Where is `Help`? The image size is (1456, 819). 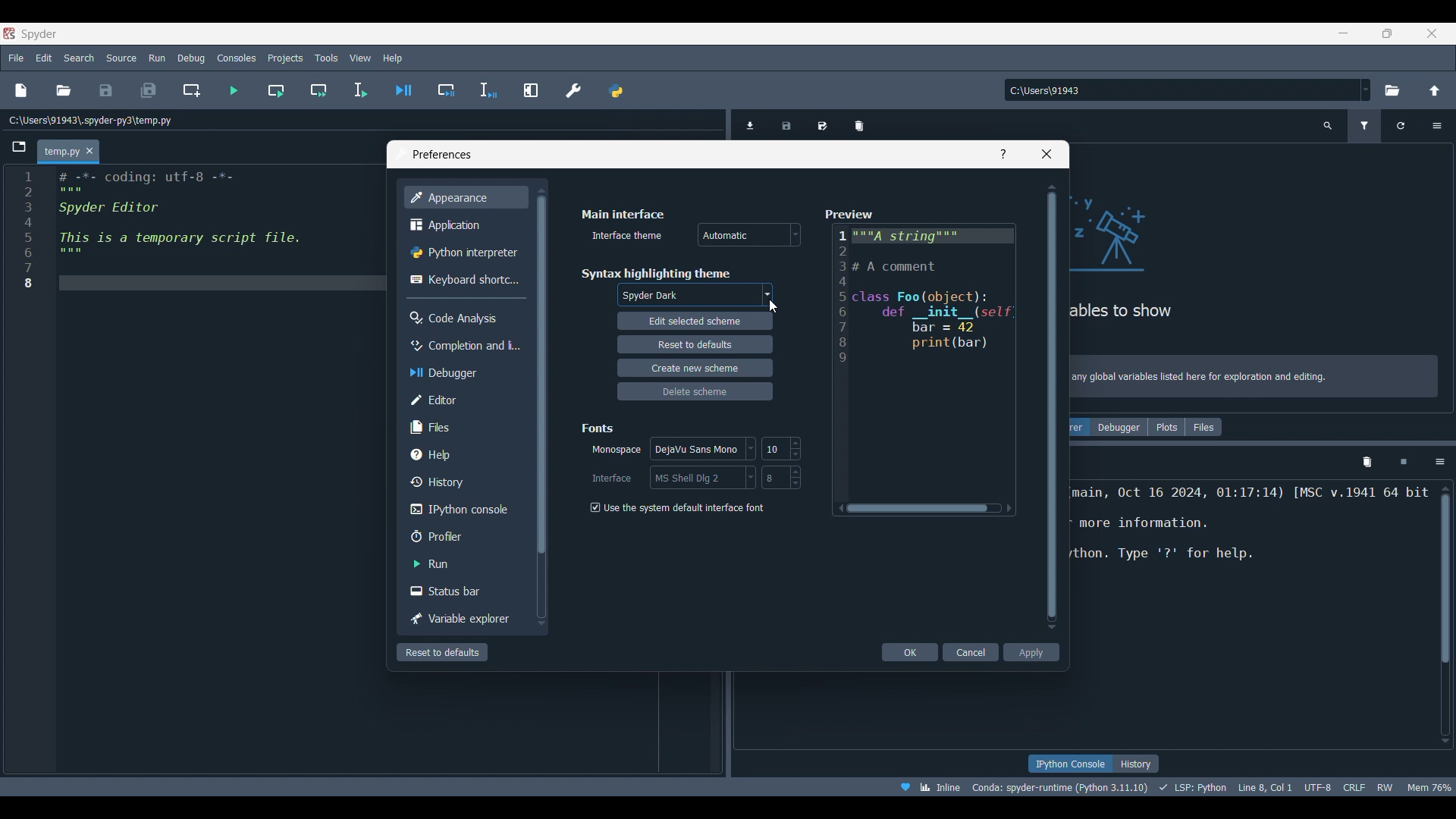
Help is located at coordinates (463, 454).